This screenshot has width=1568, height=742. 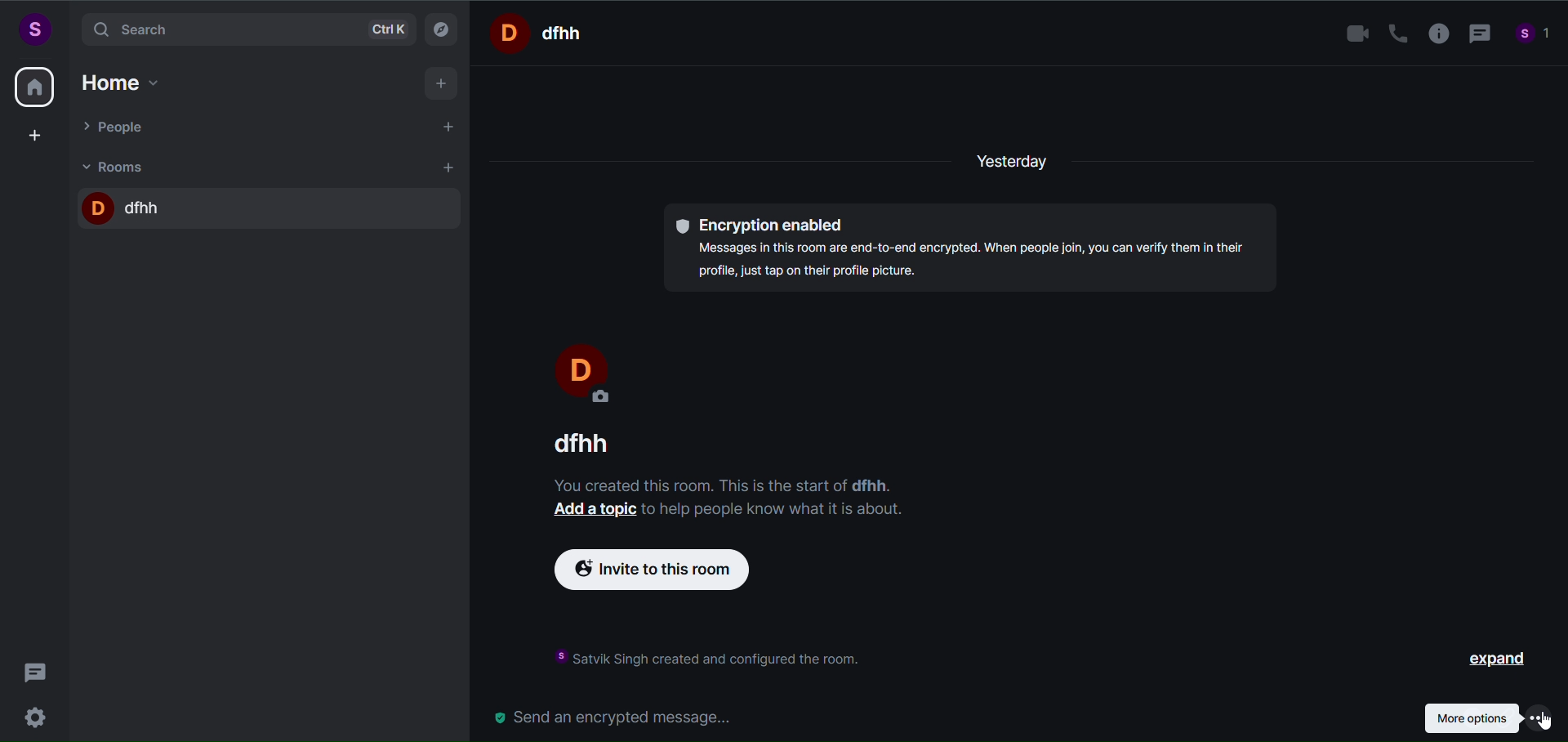 What do you see at coordinates (443, 84) in the screenshot?
I see `add` at bounding box center [443, 84].